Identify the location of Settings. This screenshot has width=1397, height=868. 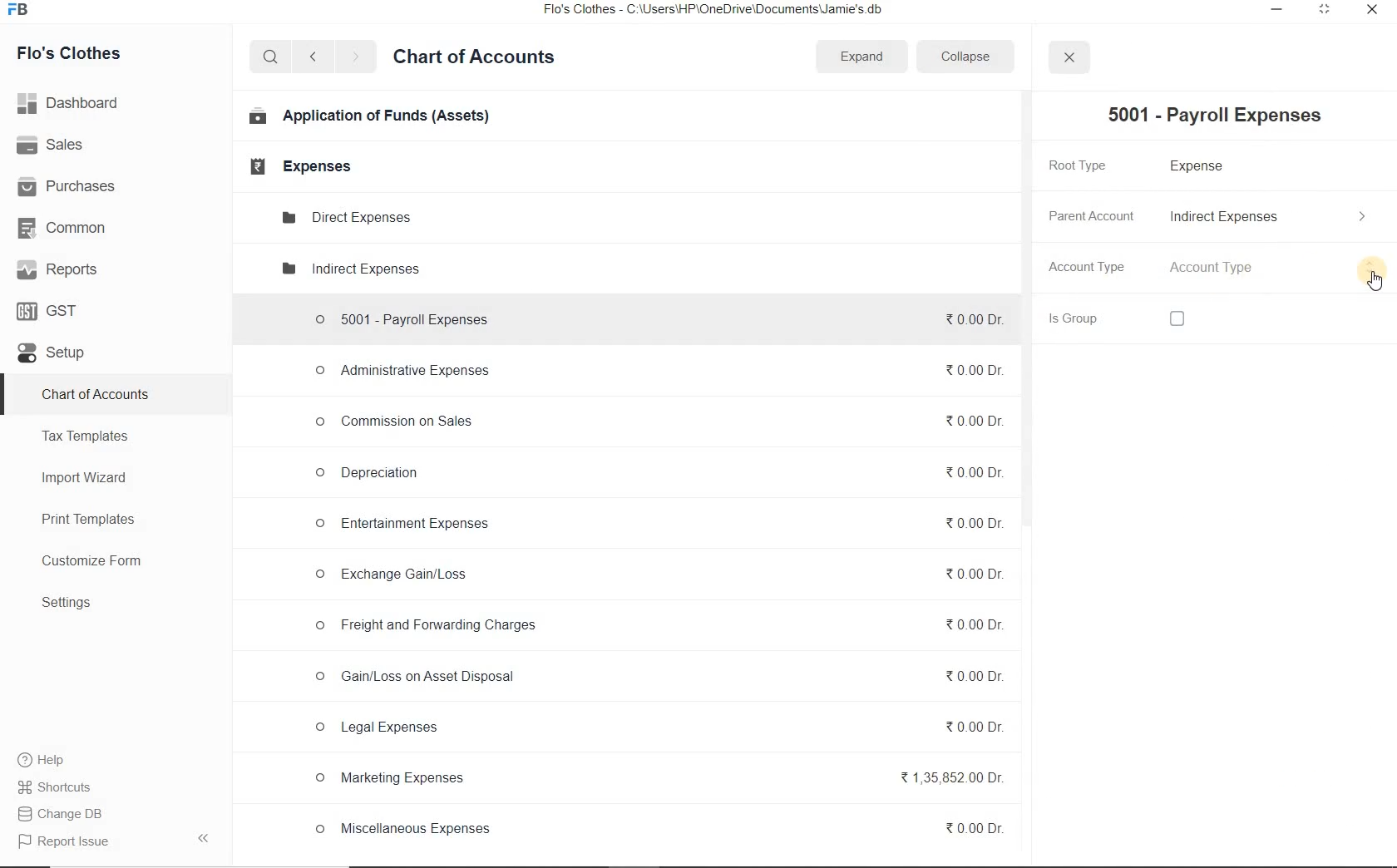
(67, 602).